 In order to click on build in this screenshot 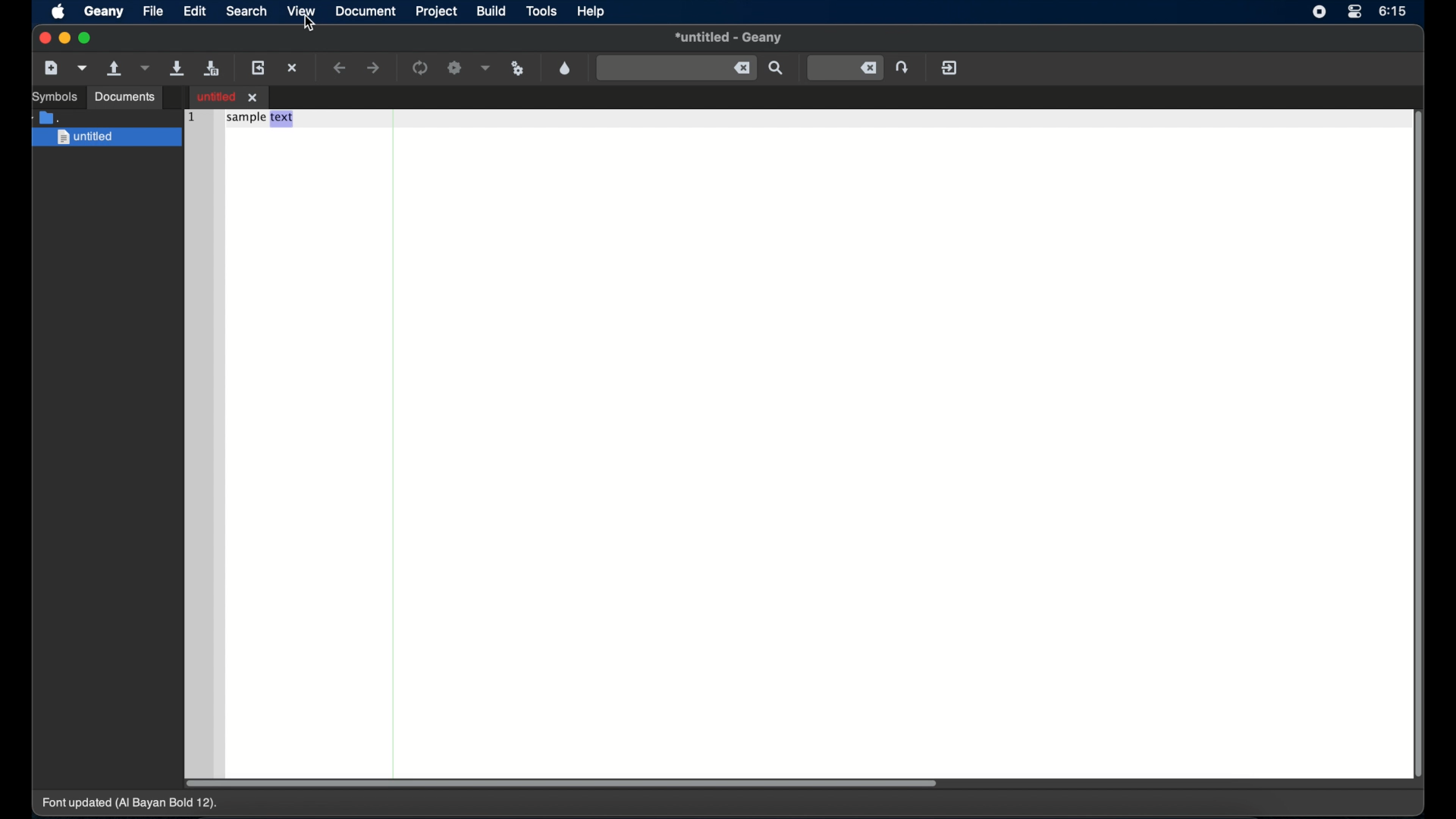, I will do `click(491, 11)`.